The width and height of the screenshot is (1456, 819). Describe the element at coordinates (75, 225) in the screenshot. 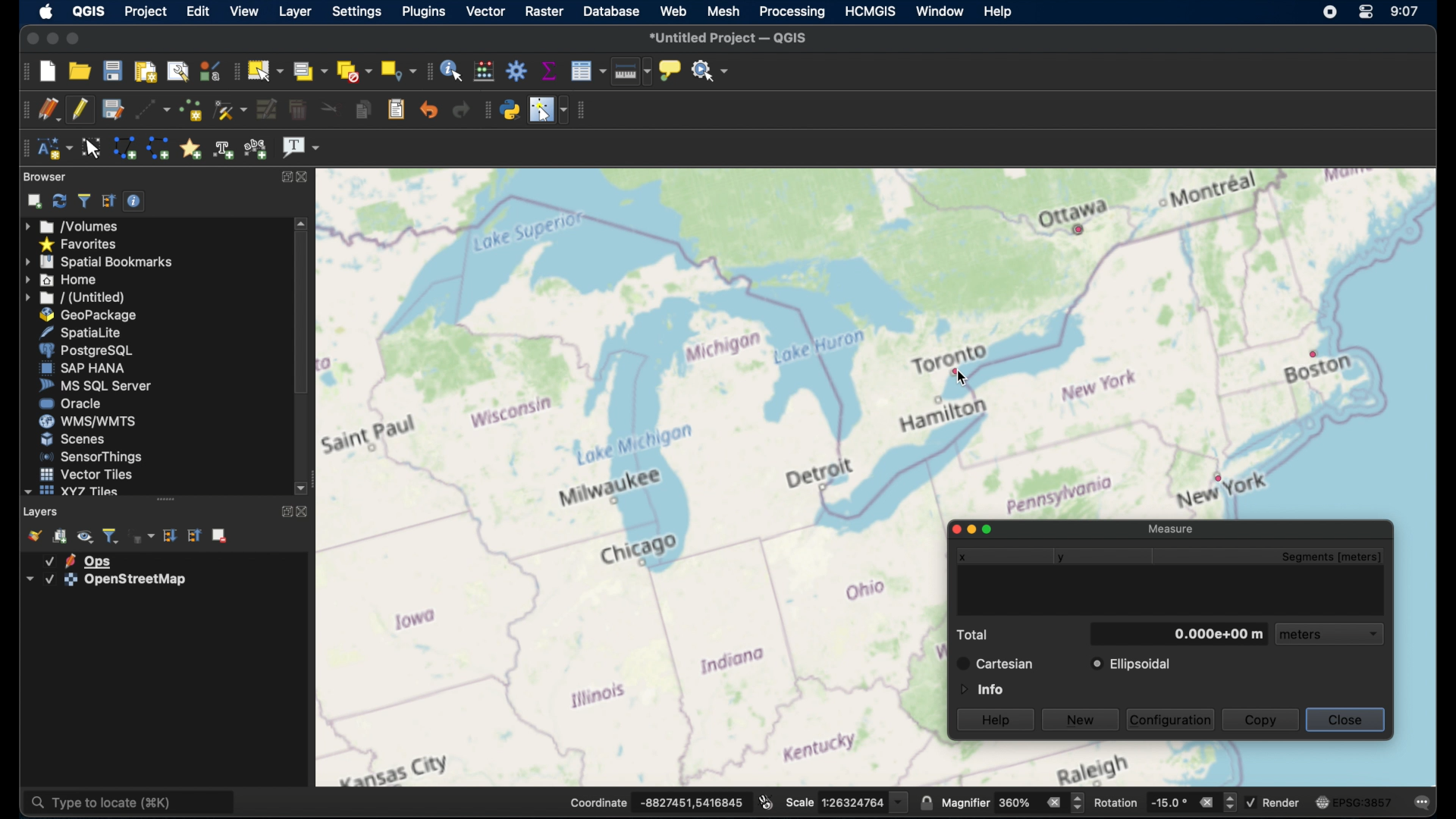

I see `volumes menu` at that location.